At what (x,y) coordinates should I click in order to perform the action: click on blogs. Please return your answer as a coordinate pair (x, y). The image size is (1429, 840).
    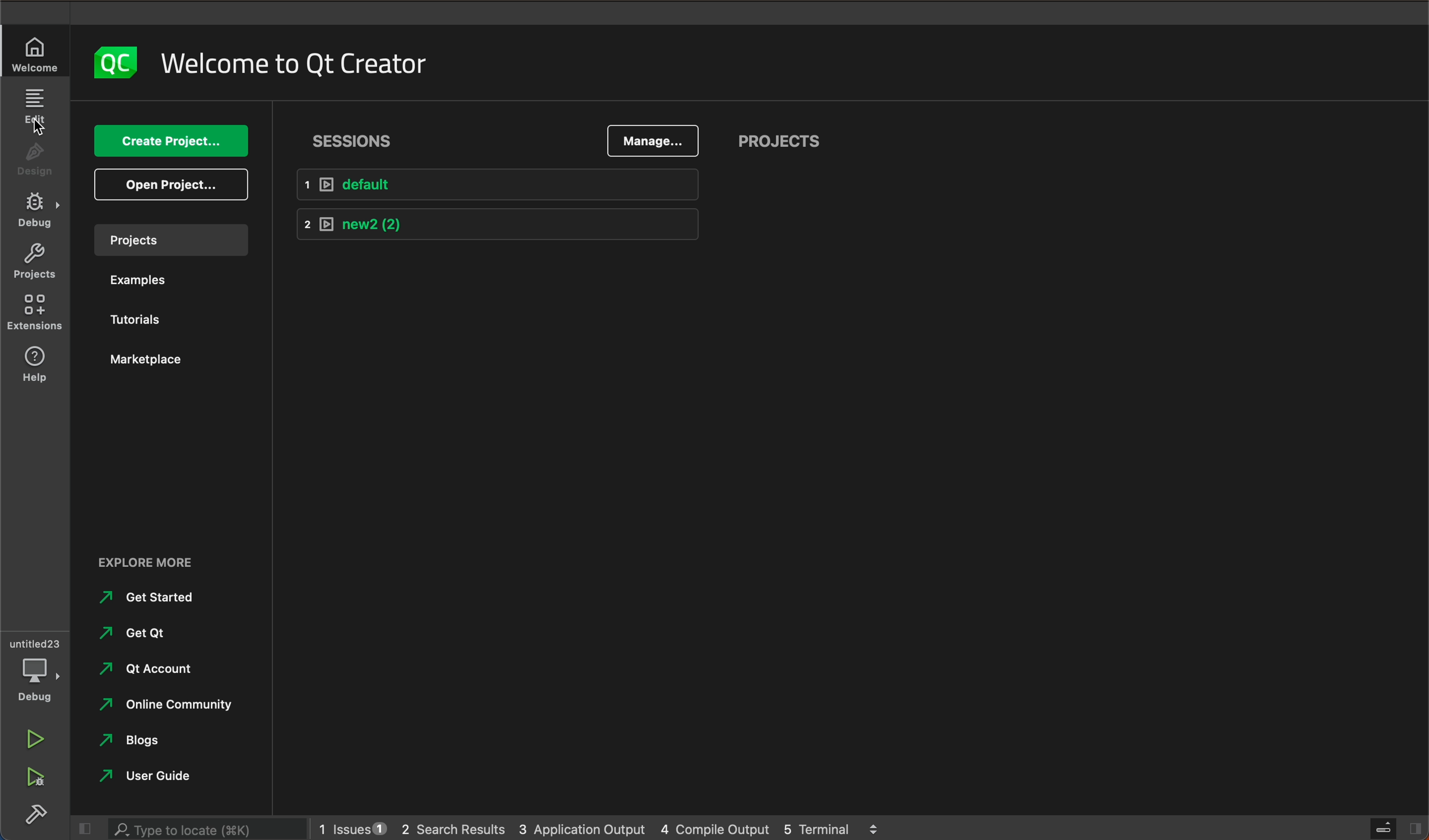
    Looking at the image, I should click on (143, 740).